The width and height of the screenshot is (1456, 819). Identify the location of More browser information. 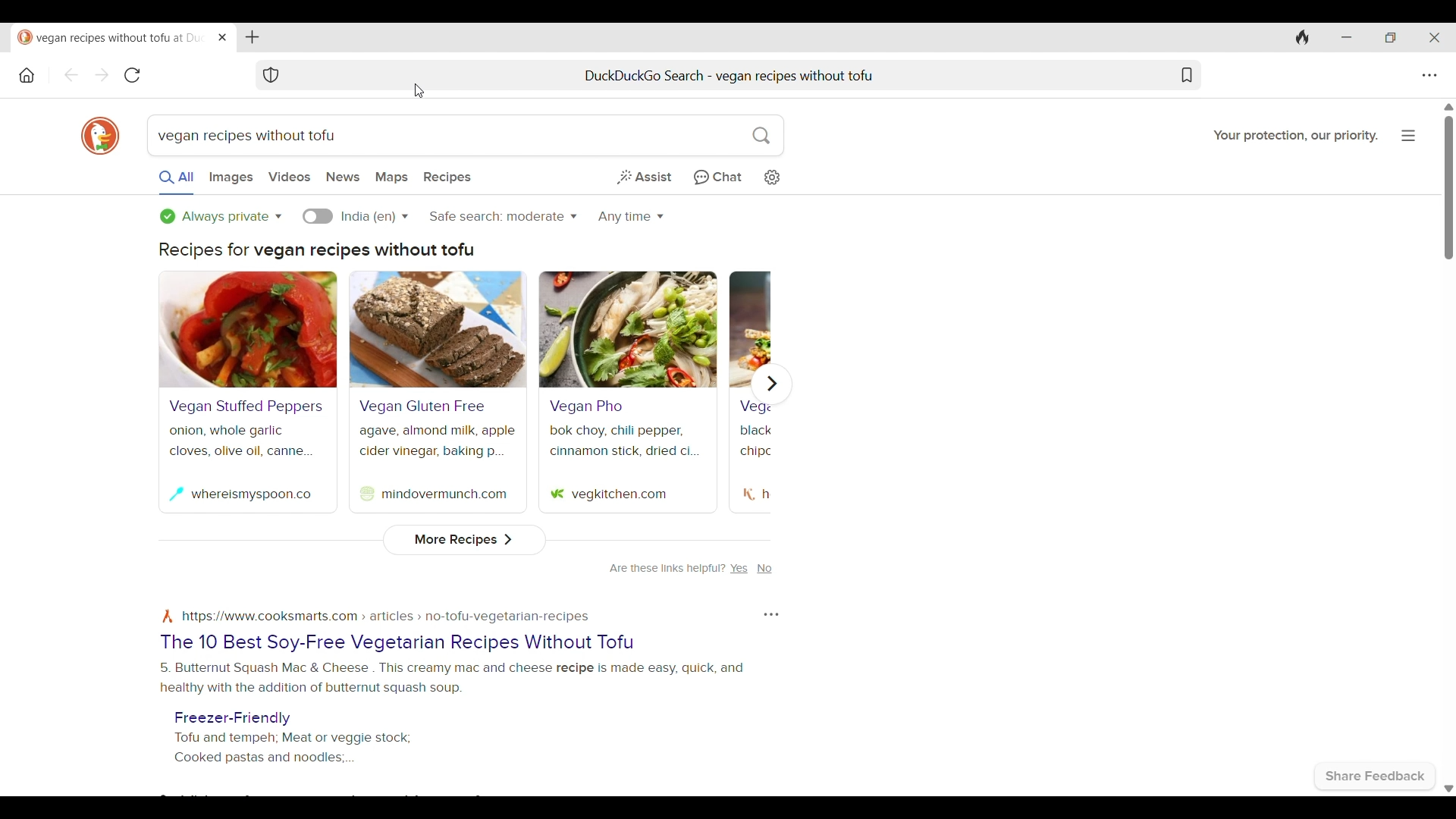
(1409, 135).